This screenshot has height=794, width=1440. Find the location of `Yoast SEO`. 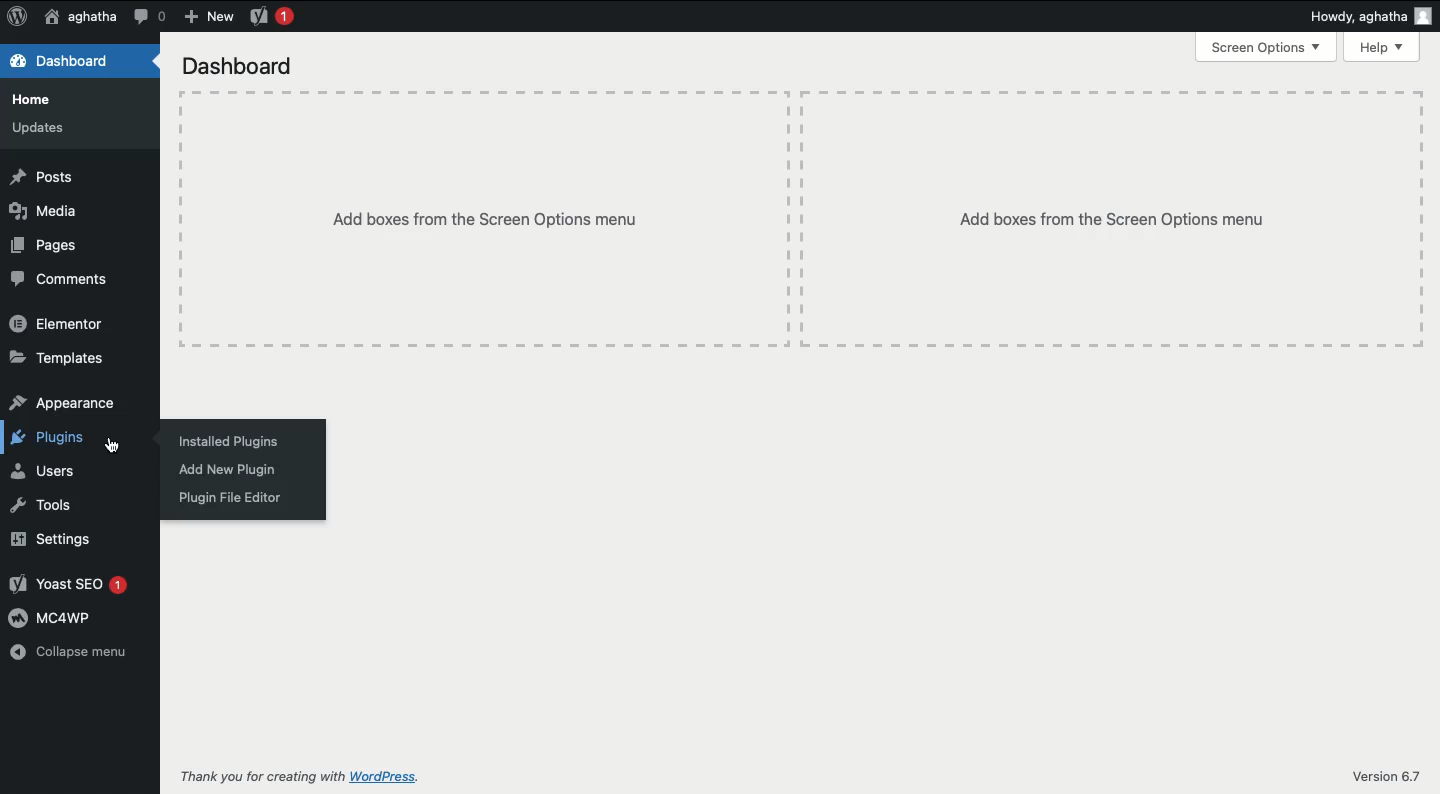

Yoast SEO is located at coordinates (70, 584).